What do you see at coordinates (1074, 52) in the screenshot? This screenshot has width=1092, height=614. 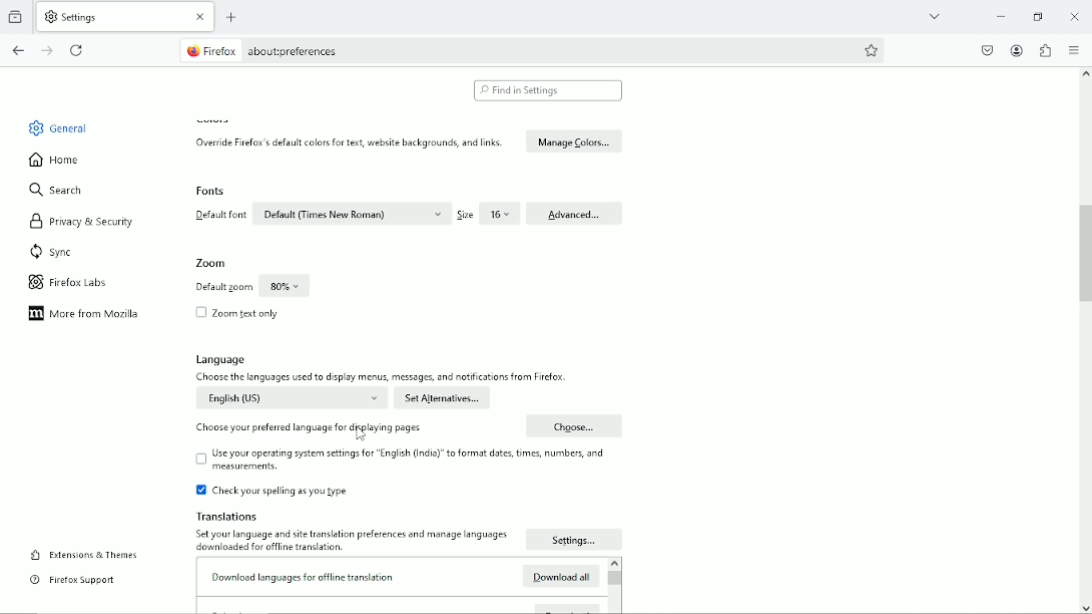 I see `open application menu` at bounding box center [1074, 52].